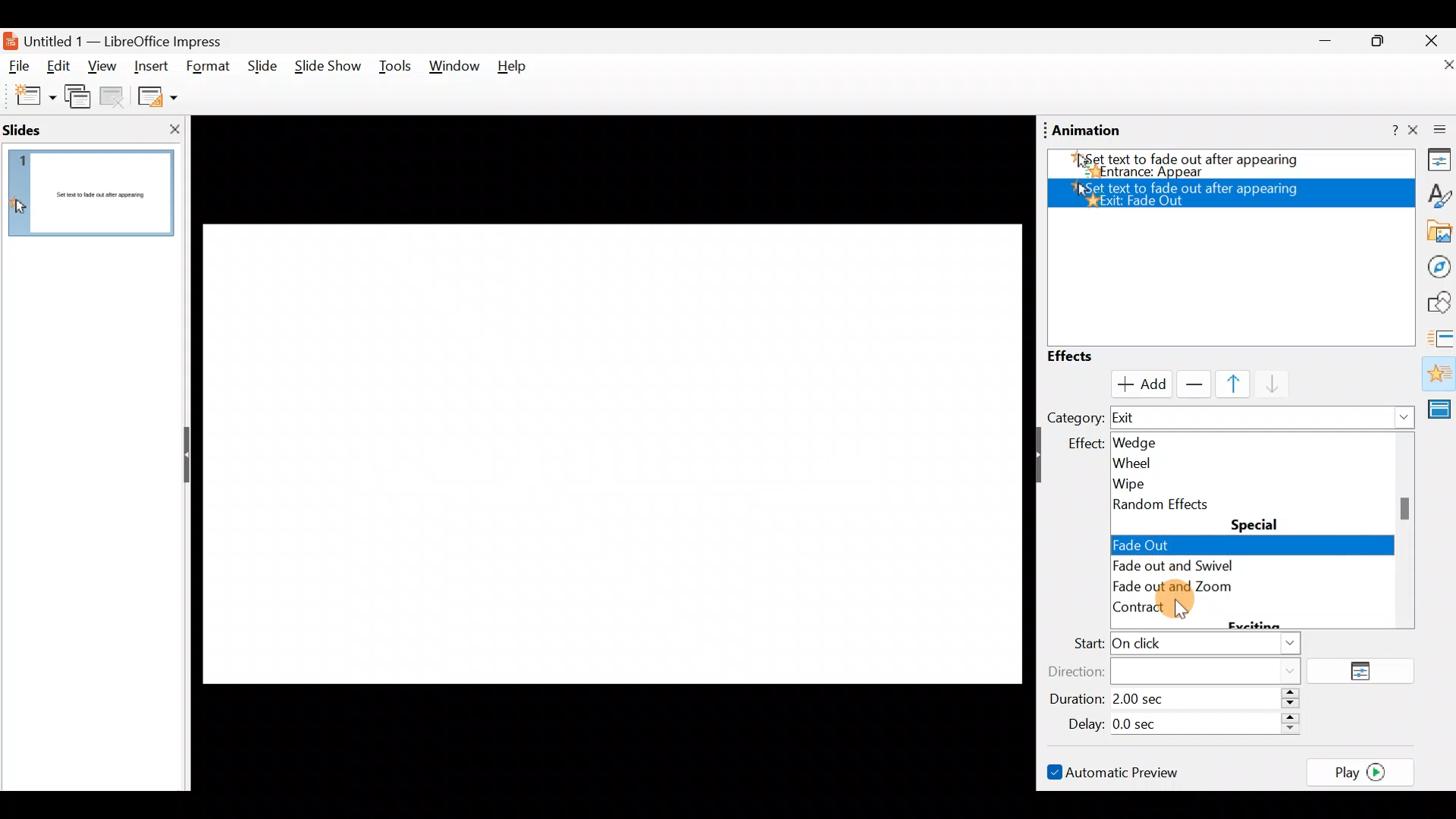 The image size is (1456, 819). Describe the element at coordinates (1225, 162) in the screenshot. I see `Appear effect added` at that location.